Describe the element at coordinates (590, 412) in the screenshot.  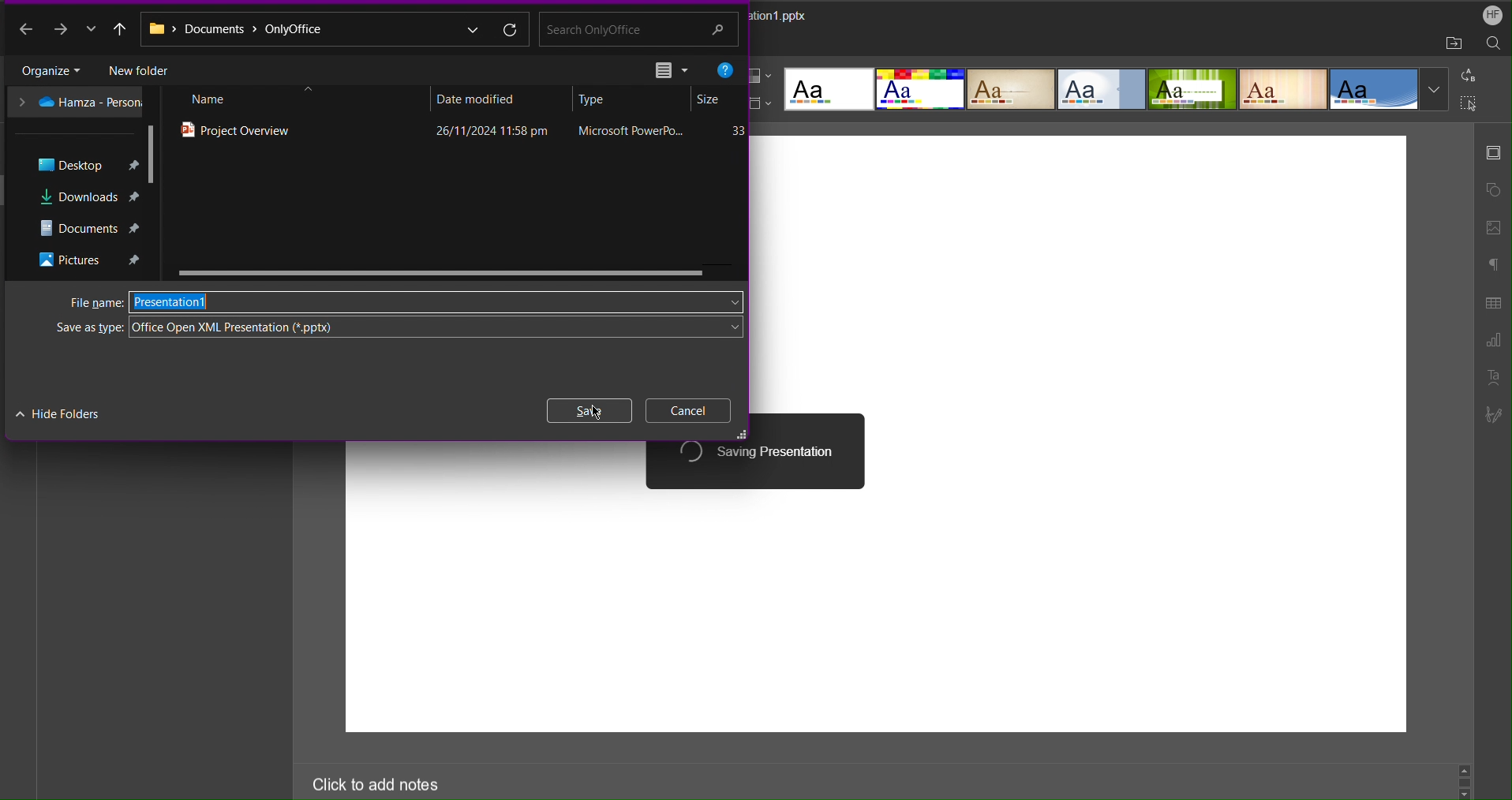
I see `Save` at that location.